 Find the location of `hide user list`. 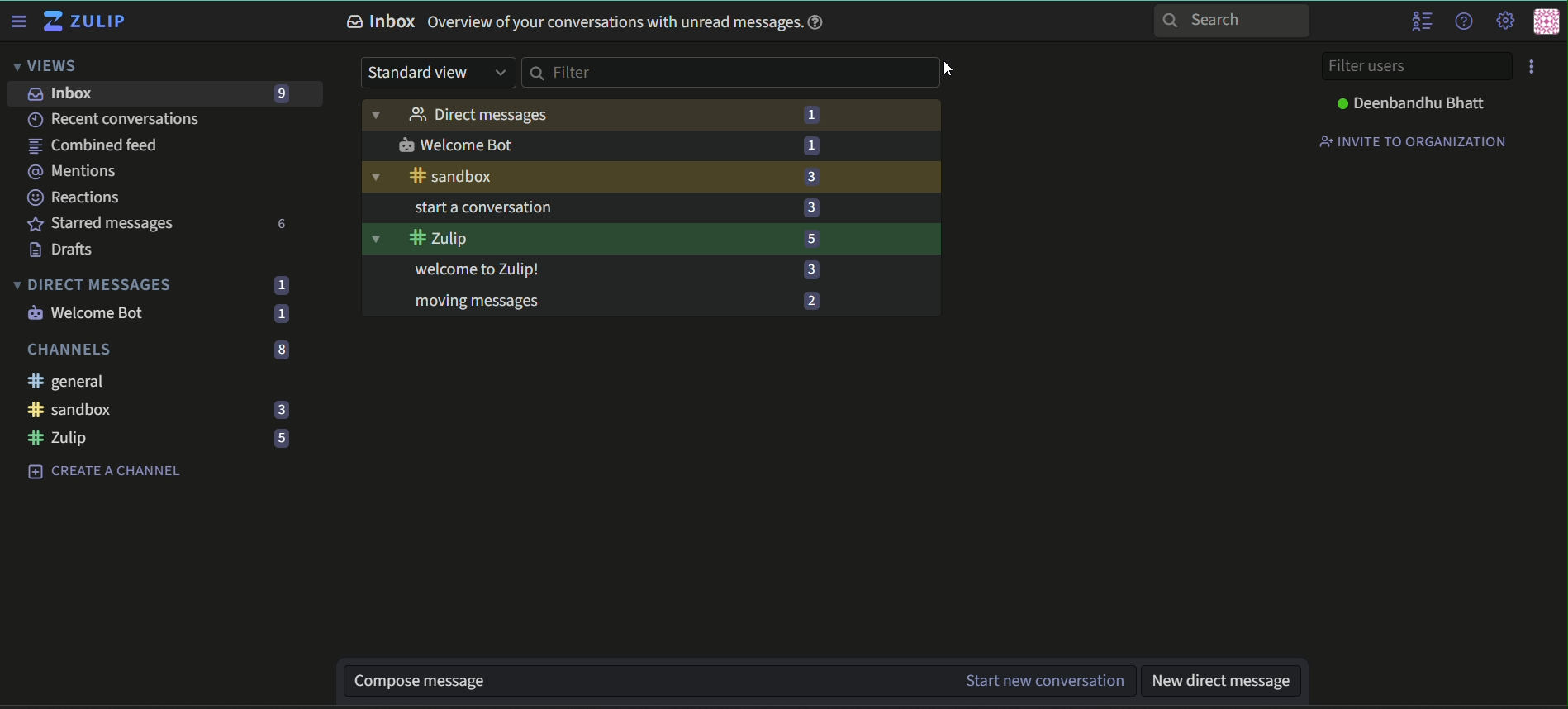

hide user list is located at coordinates (1423, 21).